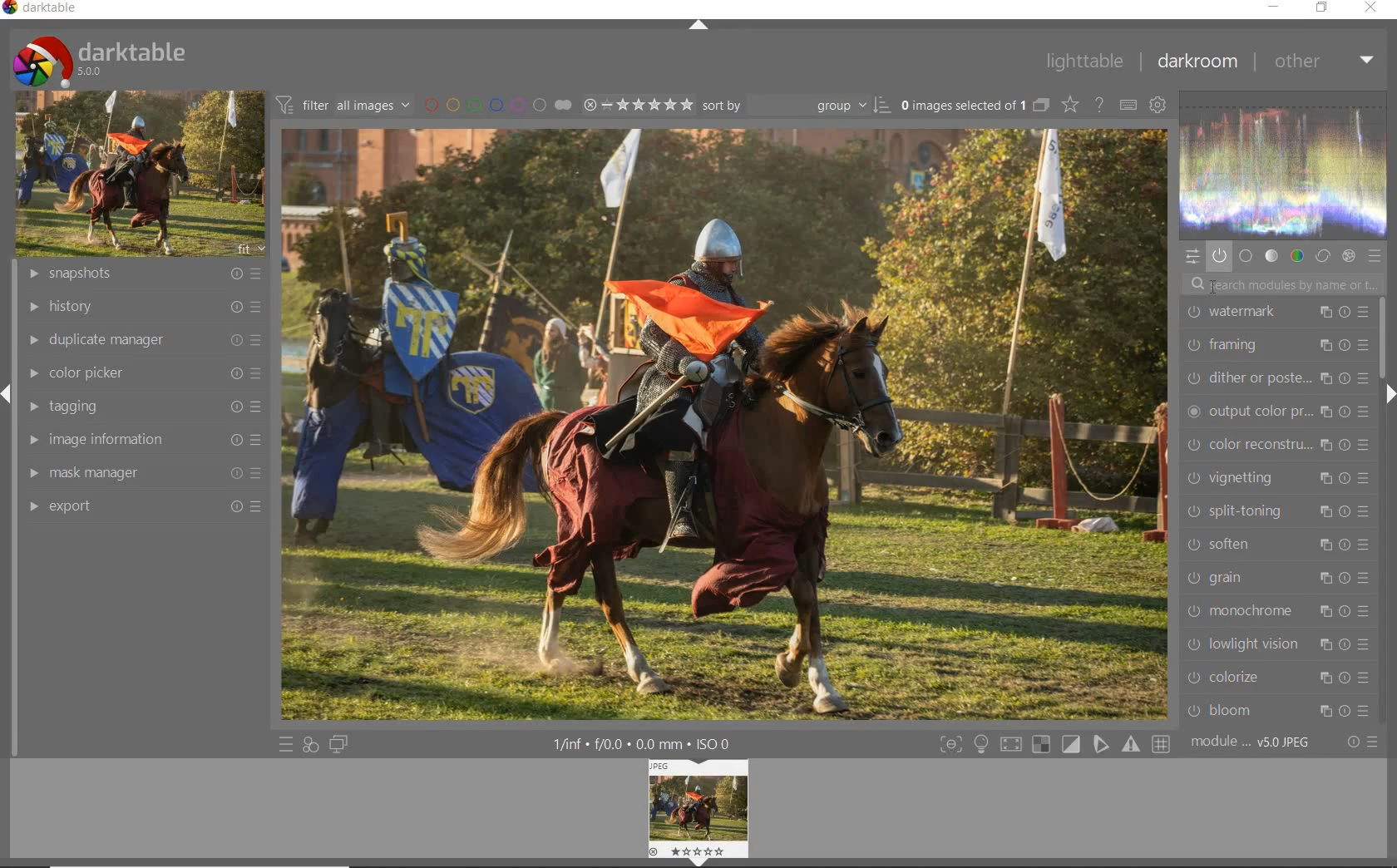  What do you see at coordinates (141, 174) in the screenshot?
I see `image` at bounding box center [141, 174].